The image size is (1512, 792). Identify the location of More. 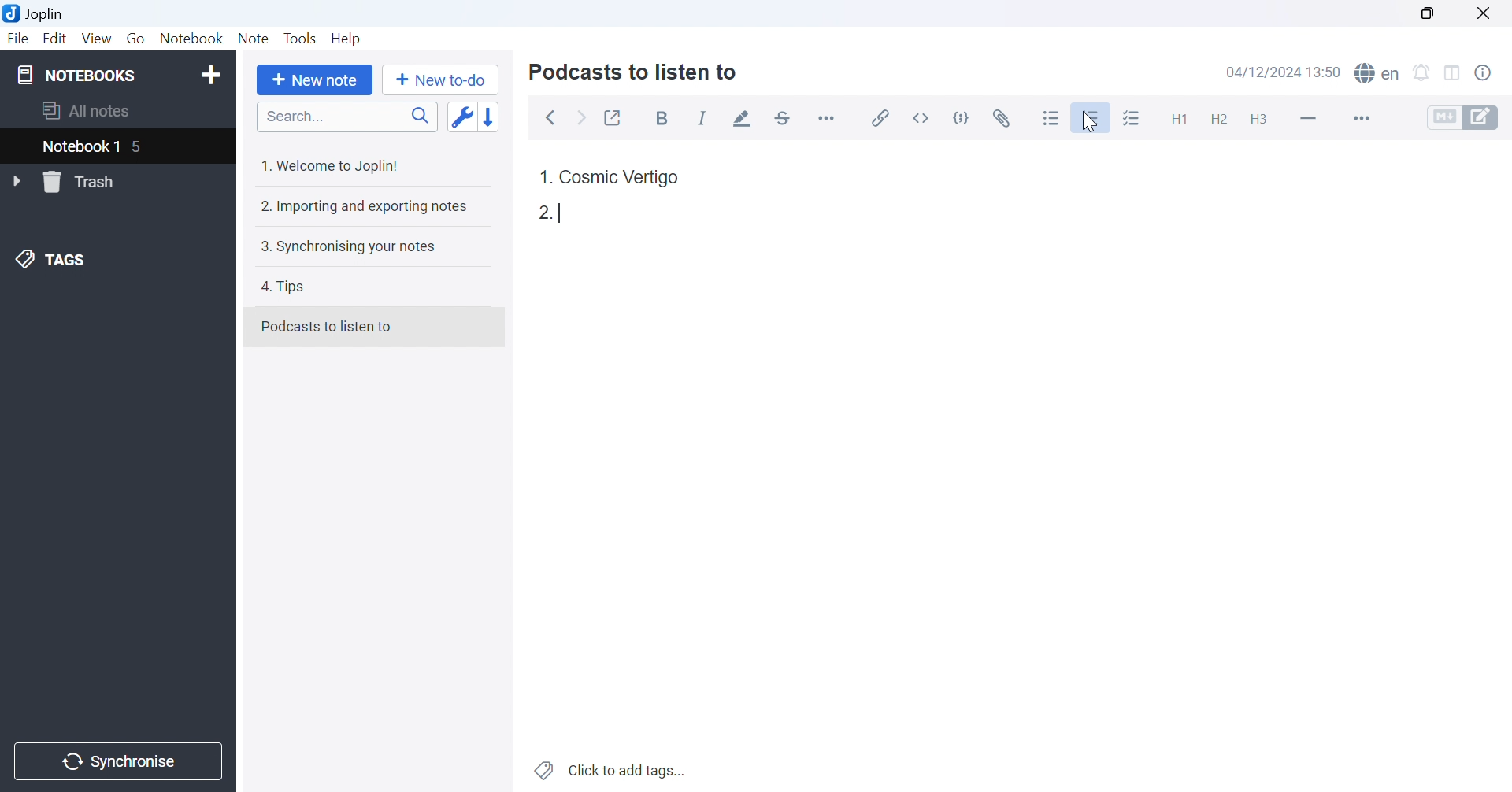
(1359, 117).